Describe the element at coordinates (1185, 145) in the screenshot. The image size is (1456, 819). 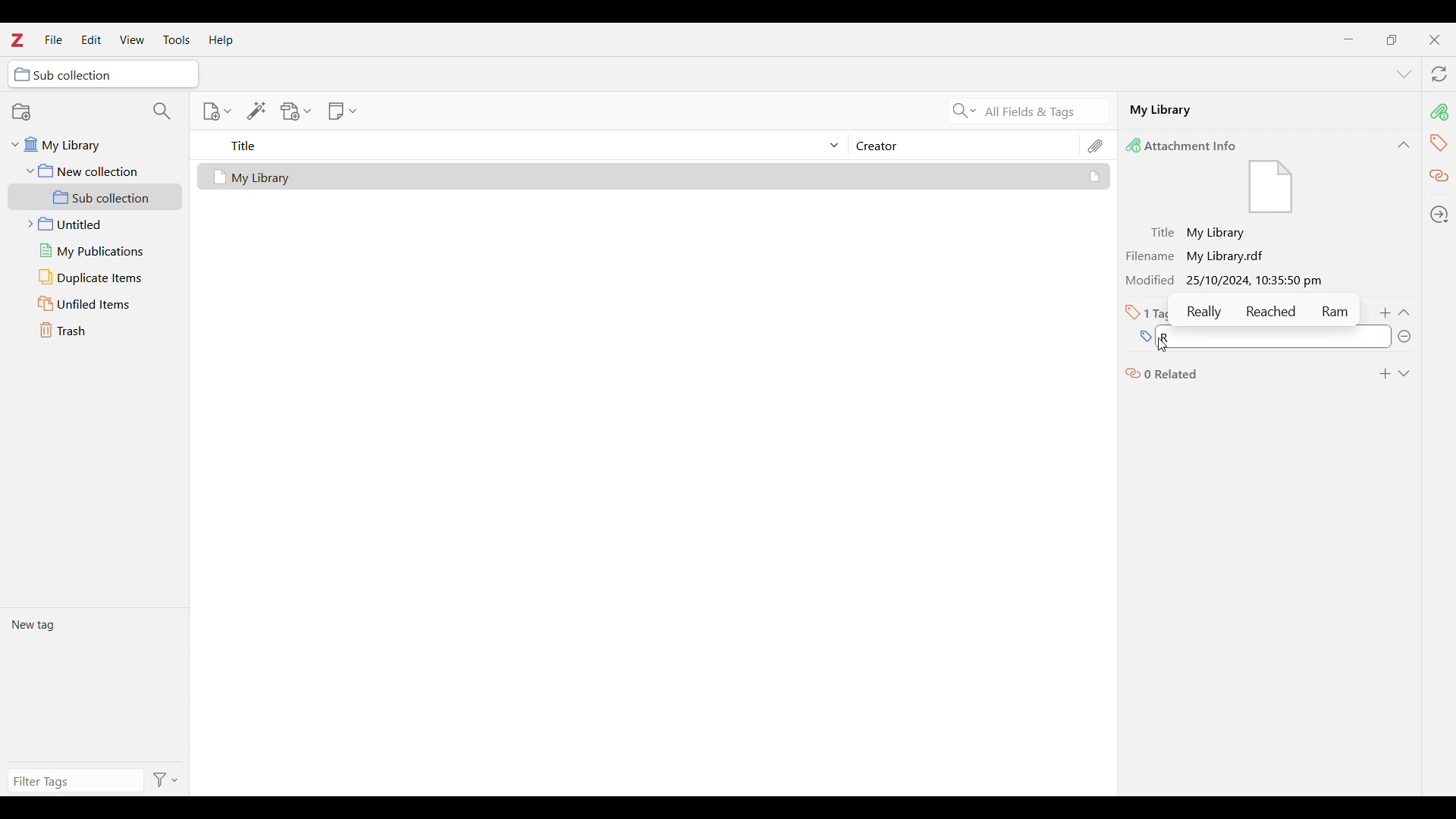
I see `Attachment Info` at that location.